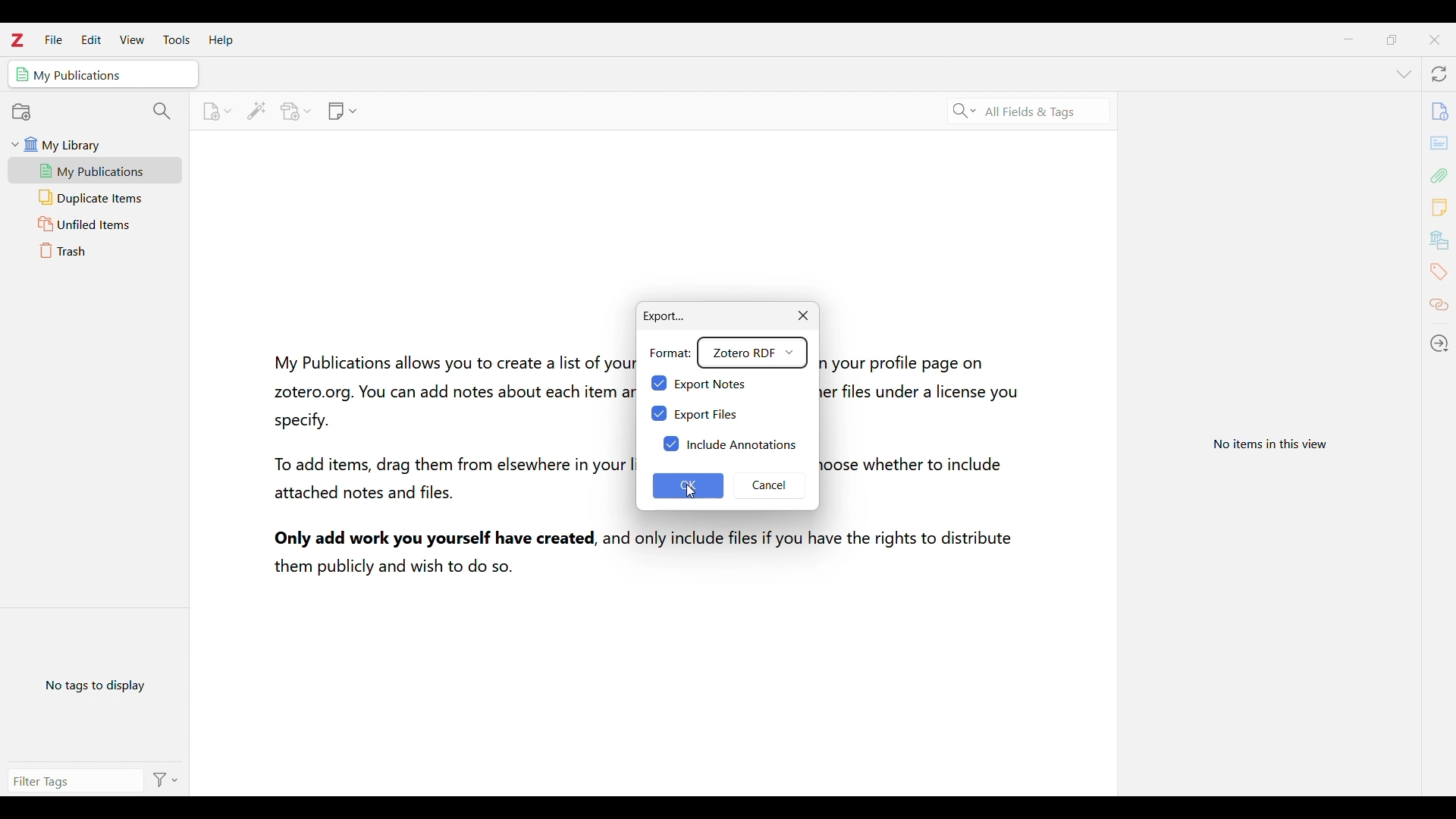 Image resolution: width=1456 pixels, height=819 pixels. What do you see at coordinates (1439, 342) in the screenshot?
I see `Locate` at bounding box center [1439, 342].